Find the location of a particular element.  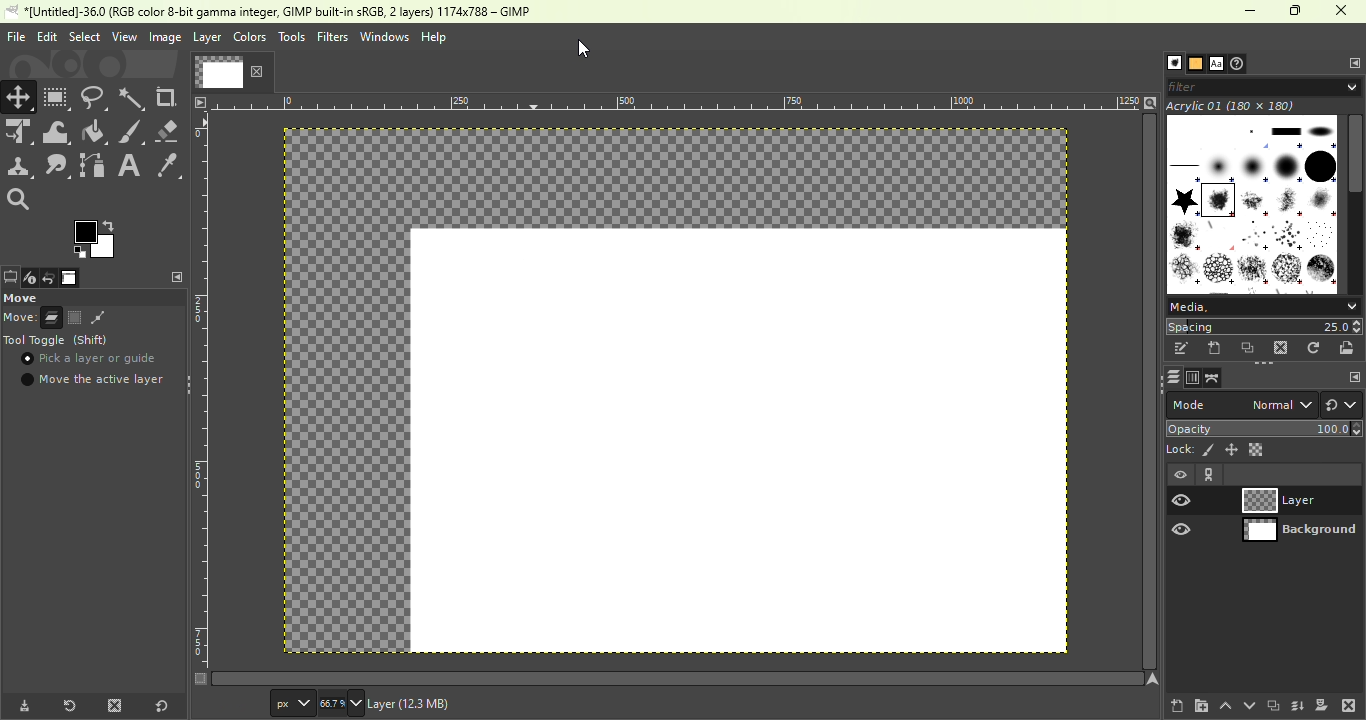

Horizontal scrollbar is located at coordinates (1150, 392).